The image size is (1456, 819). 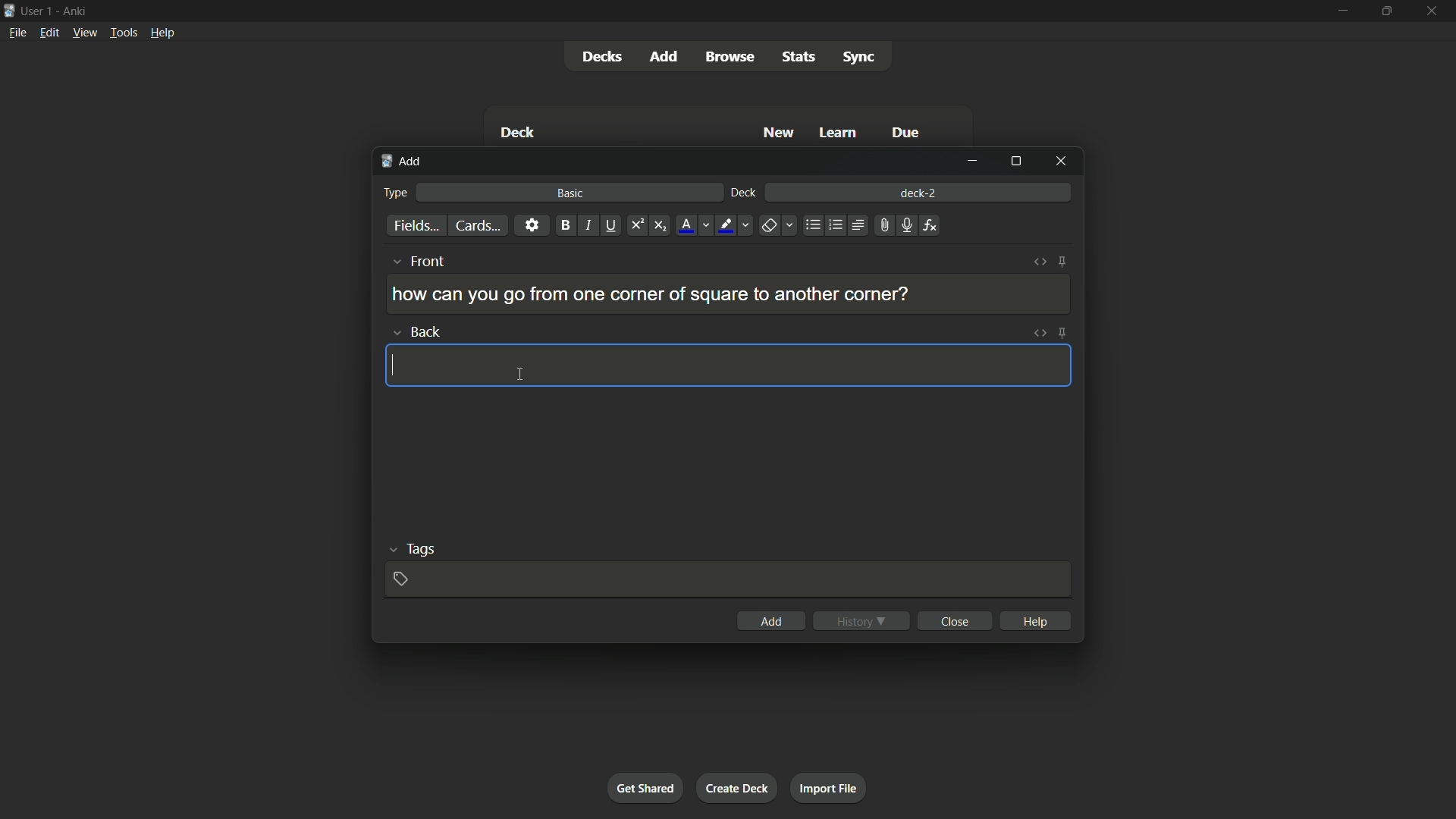 What do you see at coordinates (976, 162) in the screenshot?
I see `minimize` at bounding box center [976, 162].